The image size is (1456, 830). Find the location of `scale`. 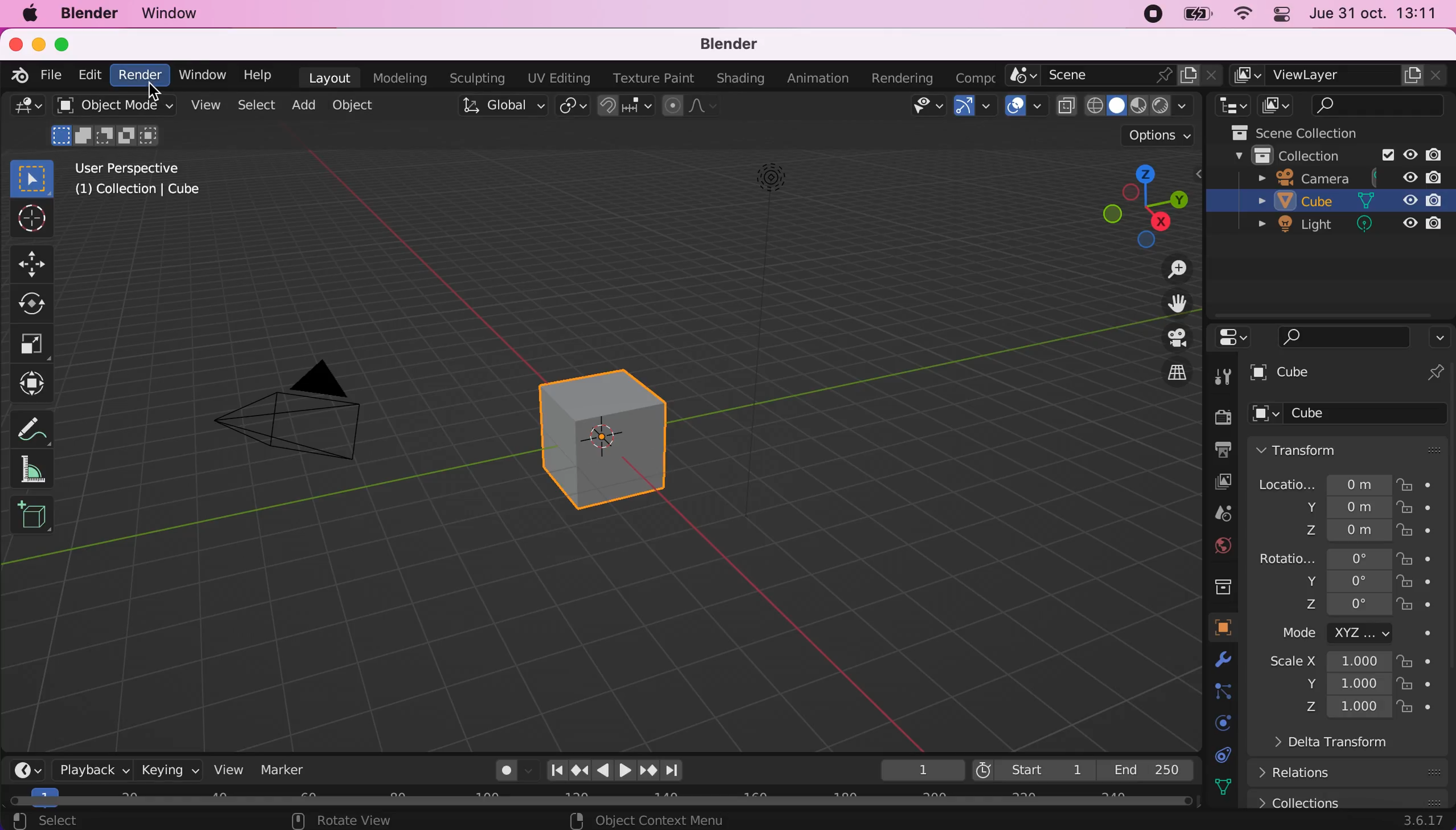

scale is located at coordinates (32, 342).